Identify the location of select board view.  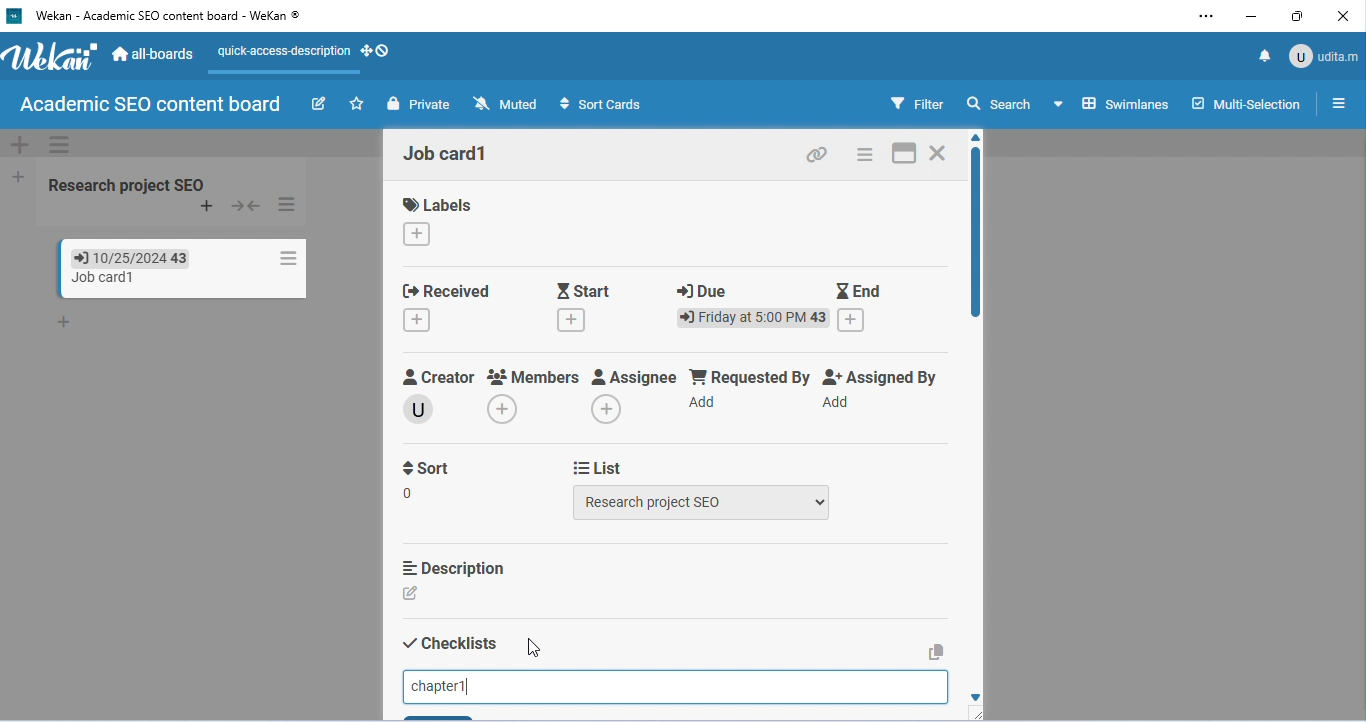
(1111, 103).